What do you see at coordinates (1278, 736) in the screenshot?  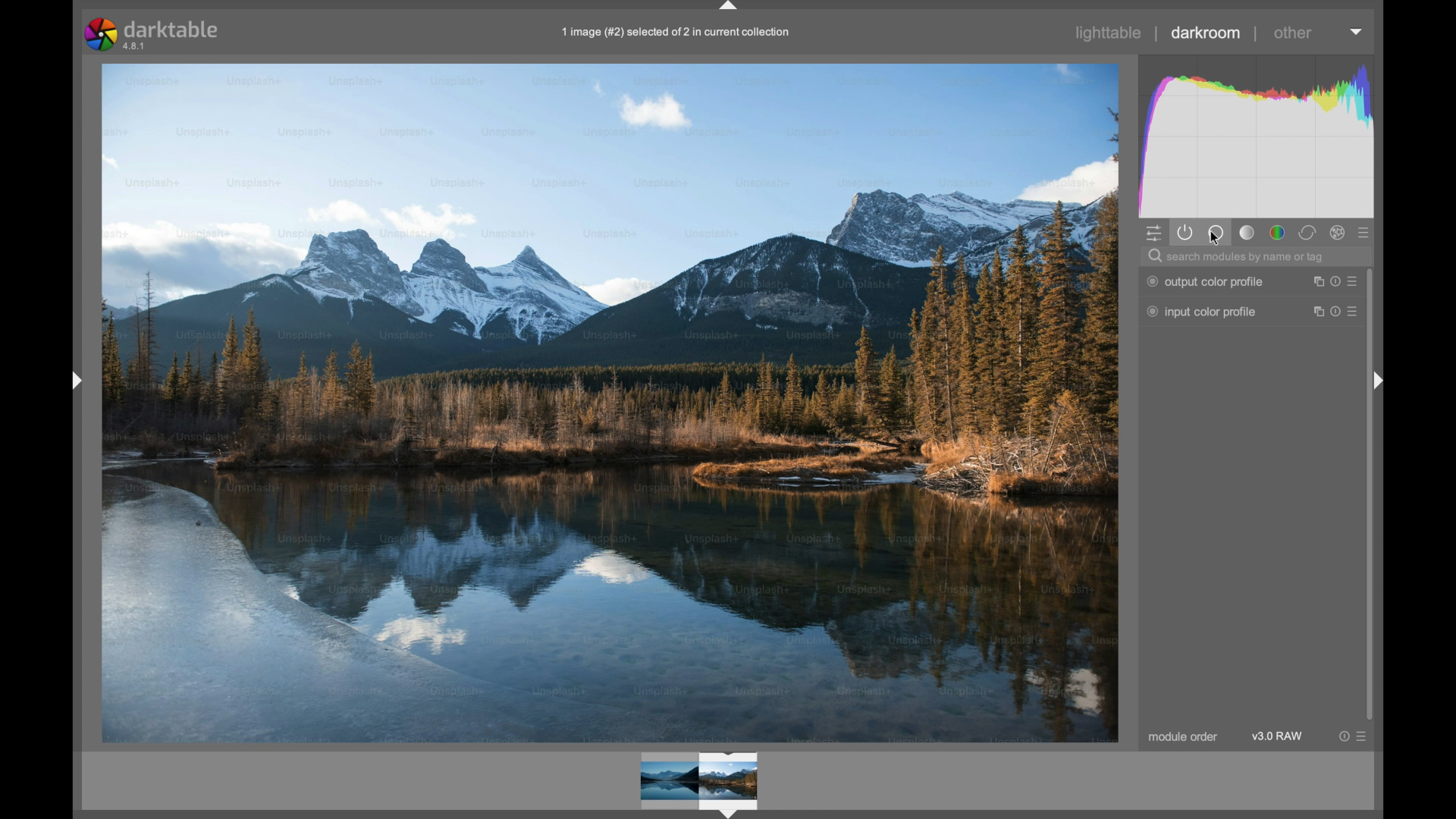 I see `v3.0 raw` at bounding box center [1278, 736].